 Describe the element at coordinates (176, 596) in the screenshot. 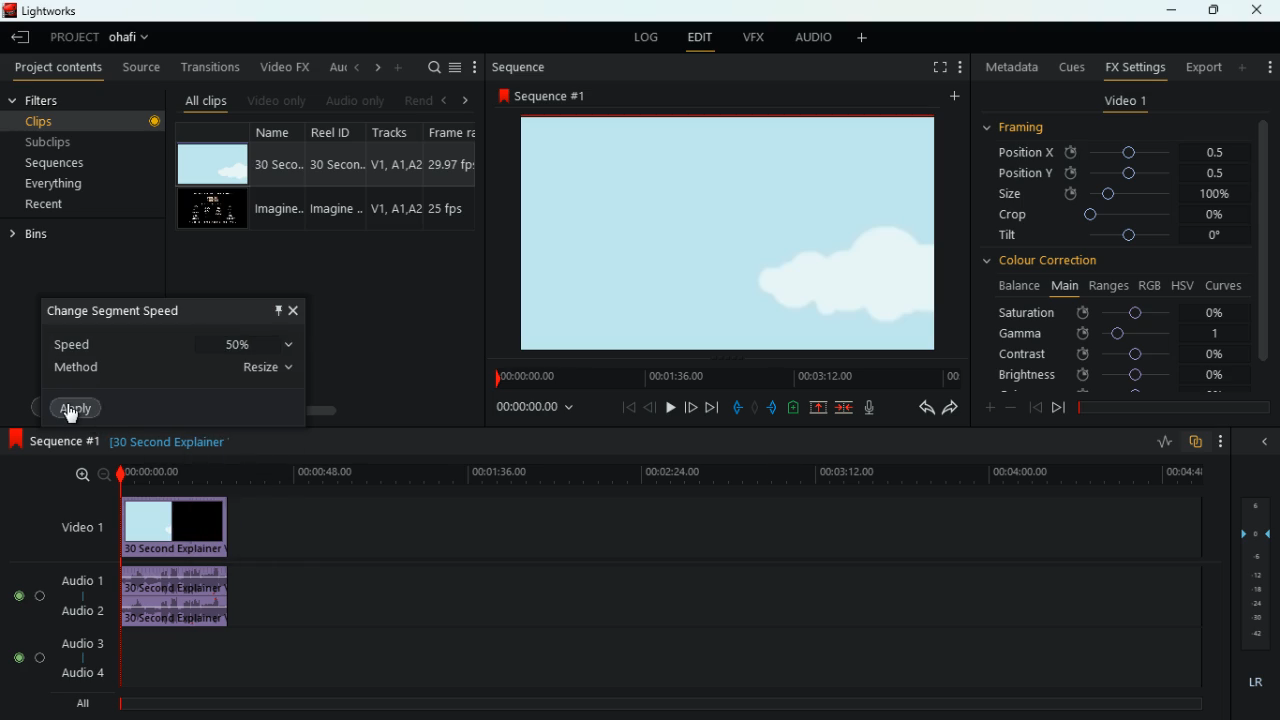

I see `audio` at that location.